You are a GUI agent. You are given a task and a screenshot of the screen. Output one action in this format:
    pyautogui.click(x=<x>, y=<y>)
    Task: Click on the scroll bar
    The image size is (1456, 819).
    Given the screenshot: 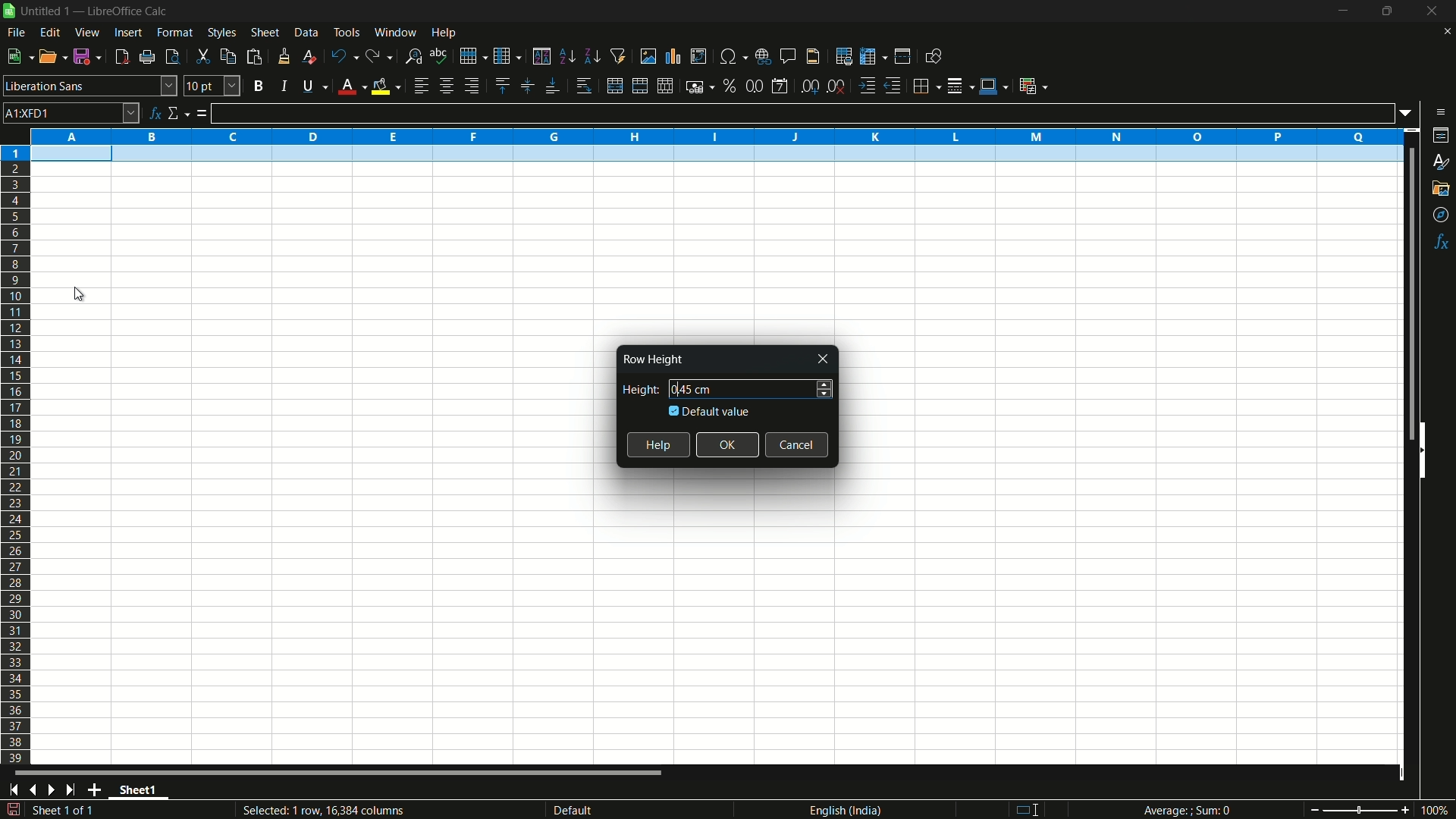 What is the action you would take?
    pyautogui.click(x=340, y=775)
    